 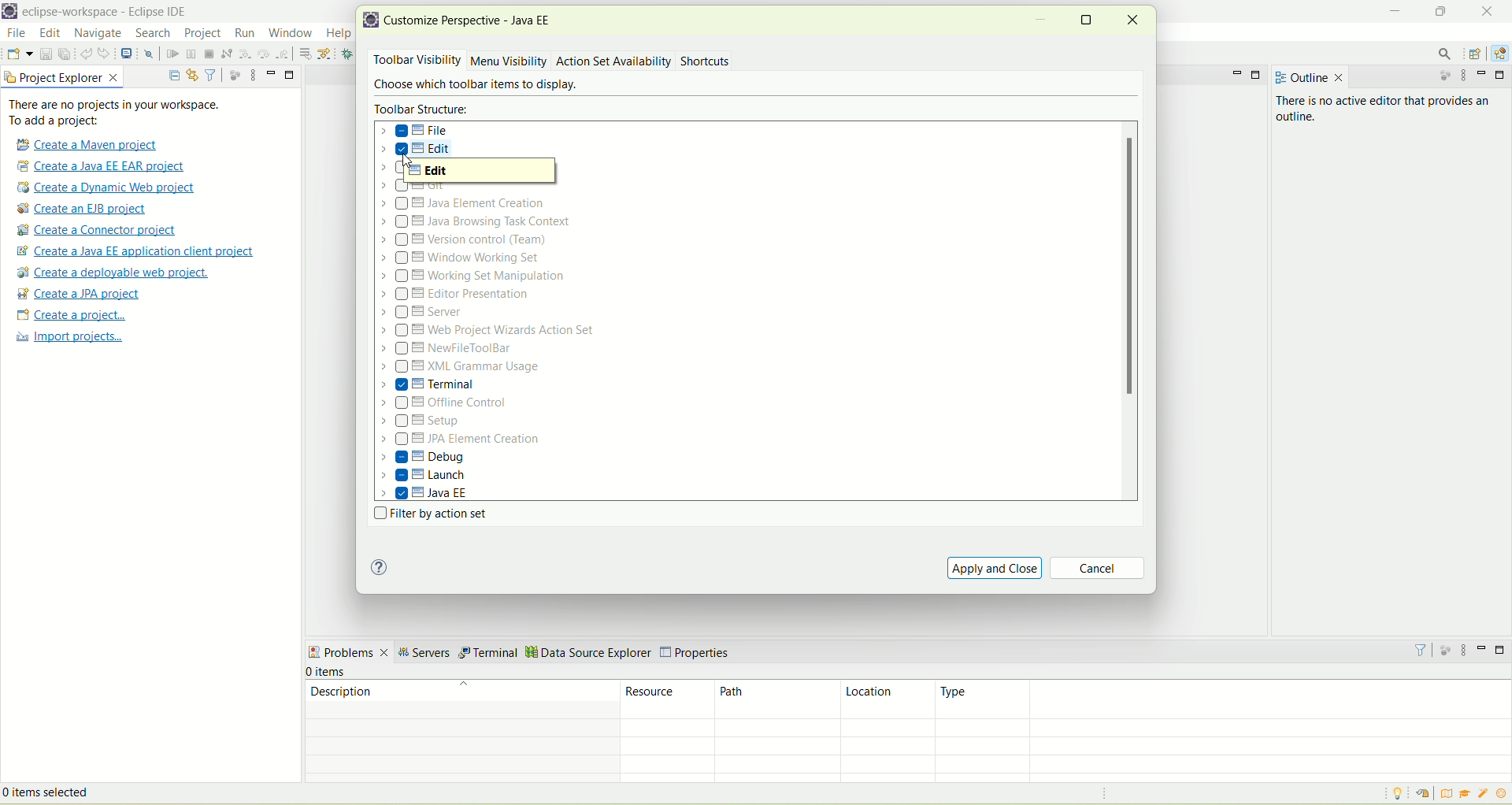 I want to click on maximize, so click(x=1088, y=18).